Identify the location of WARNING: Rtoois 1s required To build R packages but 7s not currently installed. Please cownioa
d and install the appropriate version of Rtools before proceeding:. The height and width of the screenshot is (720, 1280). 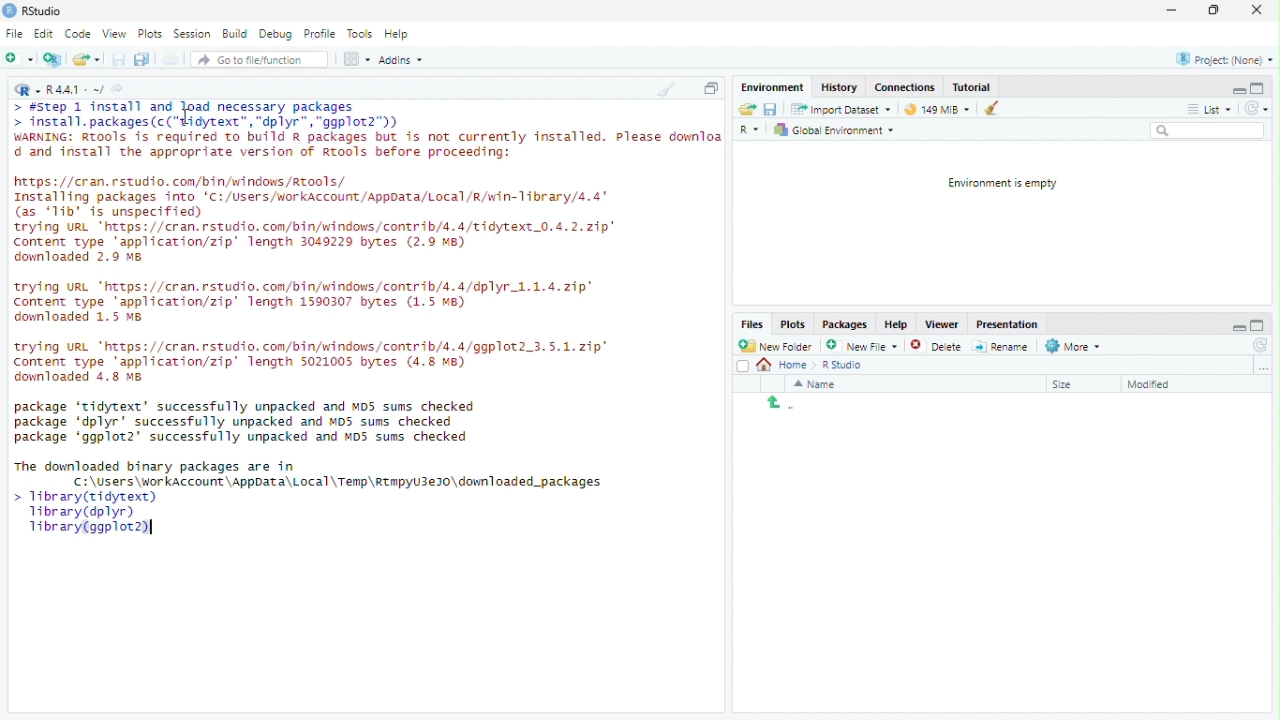
(366, 147).